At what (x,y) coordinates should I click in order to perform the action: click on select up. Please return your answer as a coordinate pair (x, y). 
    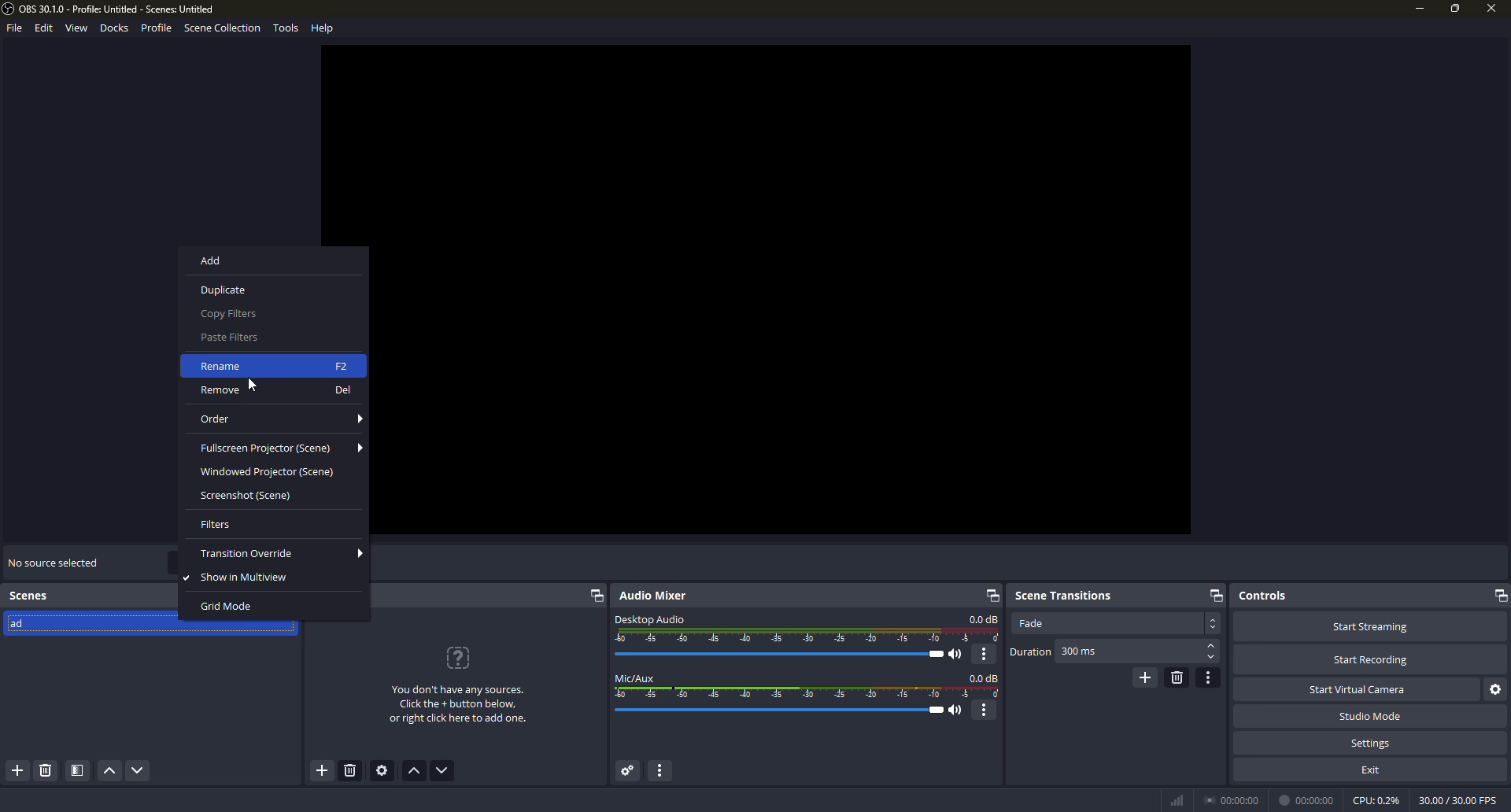
    Looking at the image, I should click on (1212, 646).